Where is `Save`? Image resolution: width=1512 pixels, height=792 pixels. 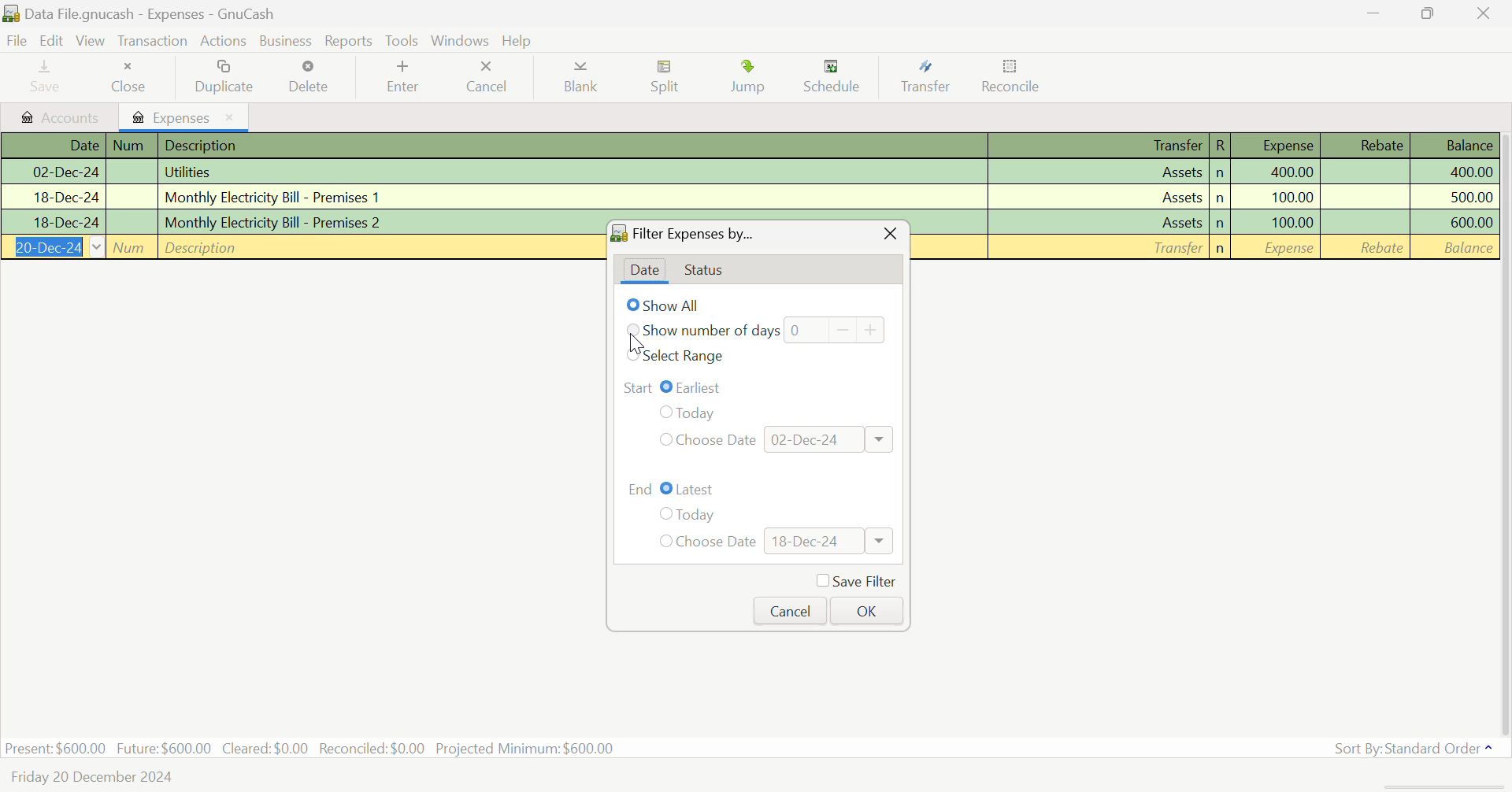 Save is located at coordinates (47, 77).